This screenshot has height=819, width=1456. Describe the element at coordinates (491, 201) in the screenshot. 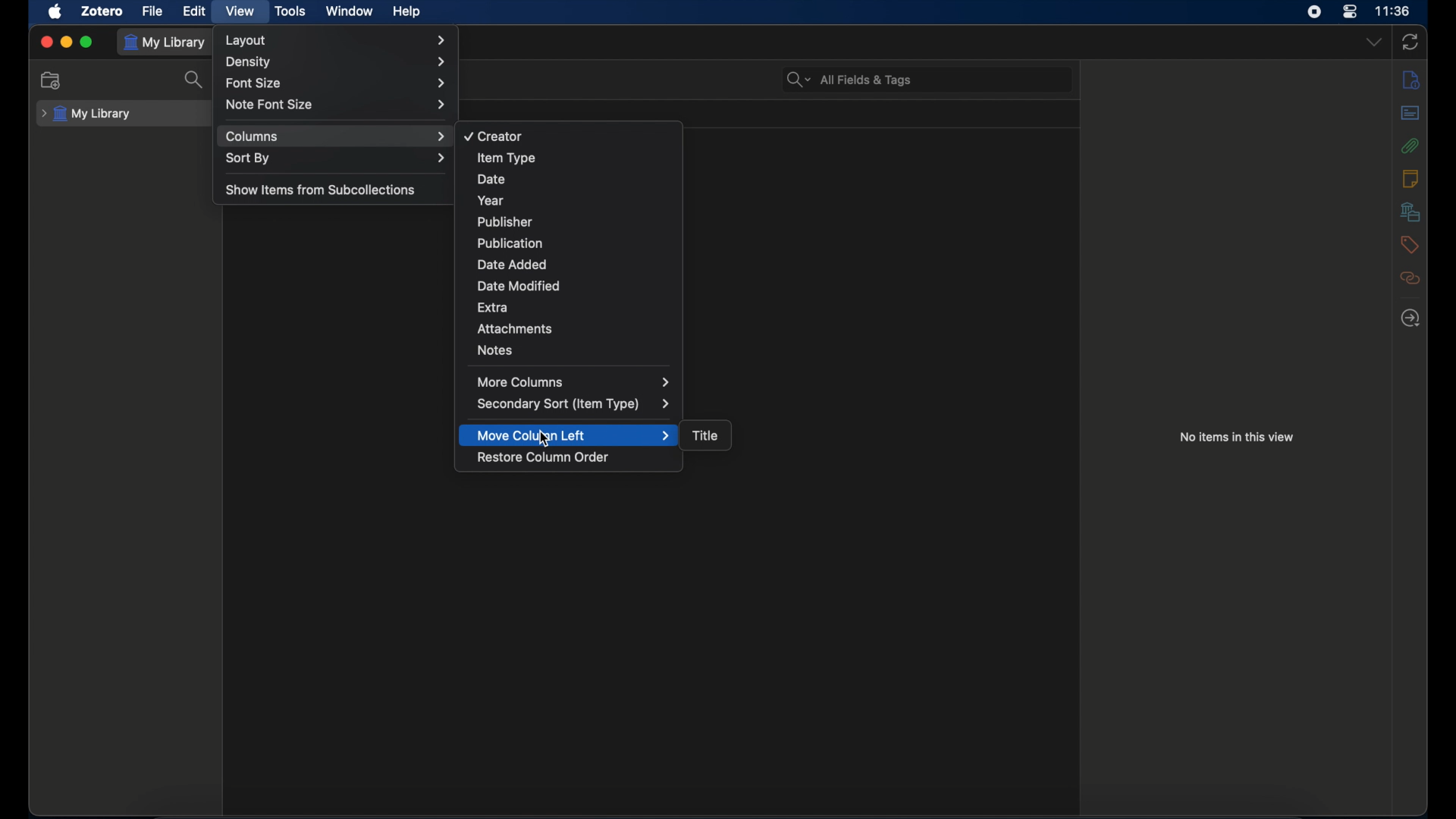

I see `year` at that location.